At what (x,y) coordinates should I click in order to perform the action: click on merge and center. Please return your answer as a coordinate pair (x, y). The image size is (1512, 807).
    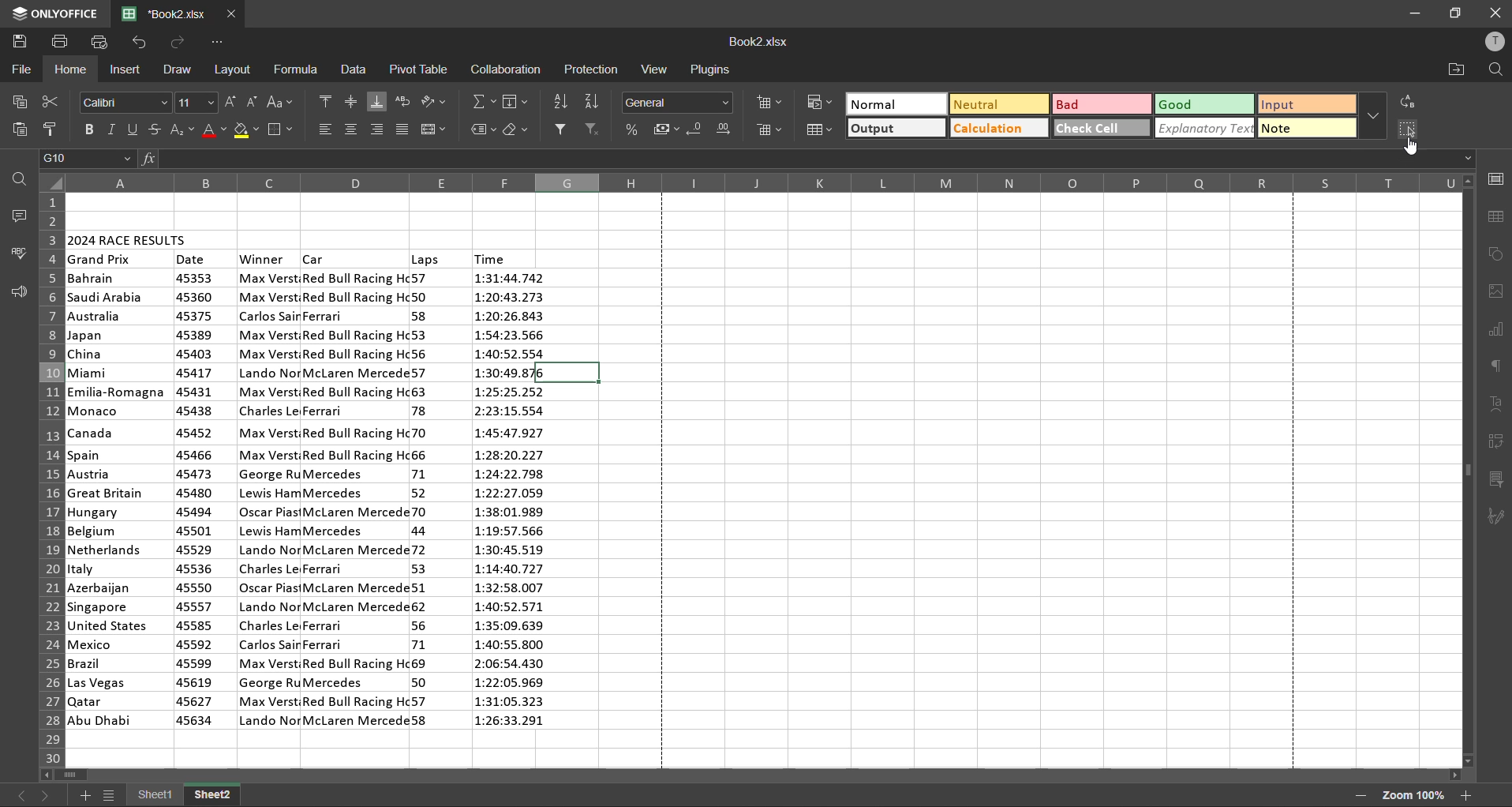
    Looking at the image, I should click on (436, 130).